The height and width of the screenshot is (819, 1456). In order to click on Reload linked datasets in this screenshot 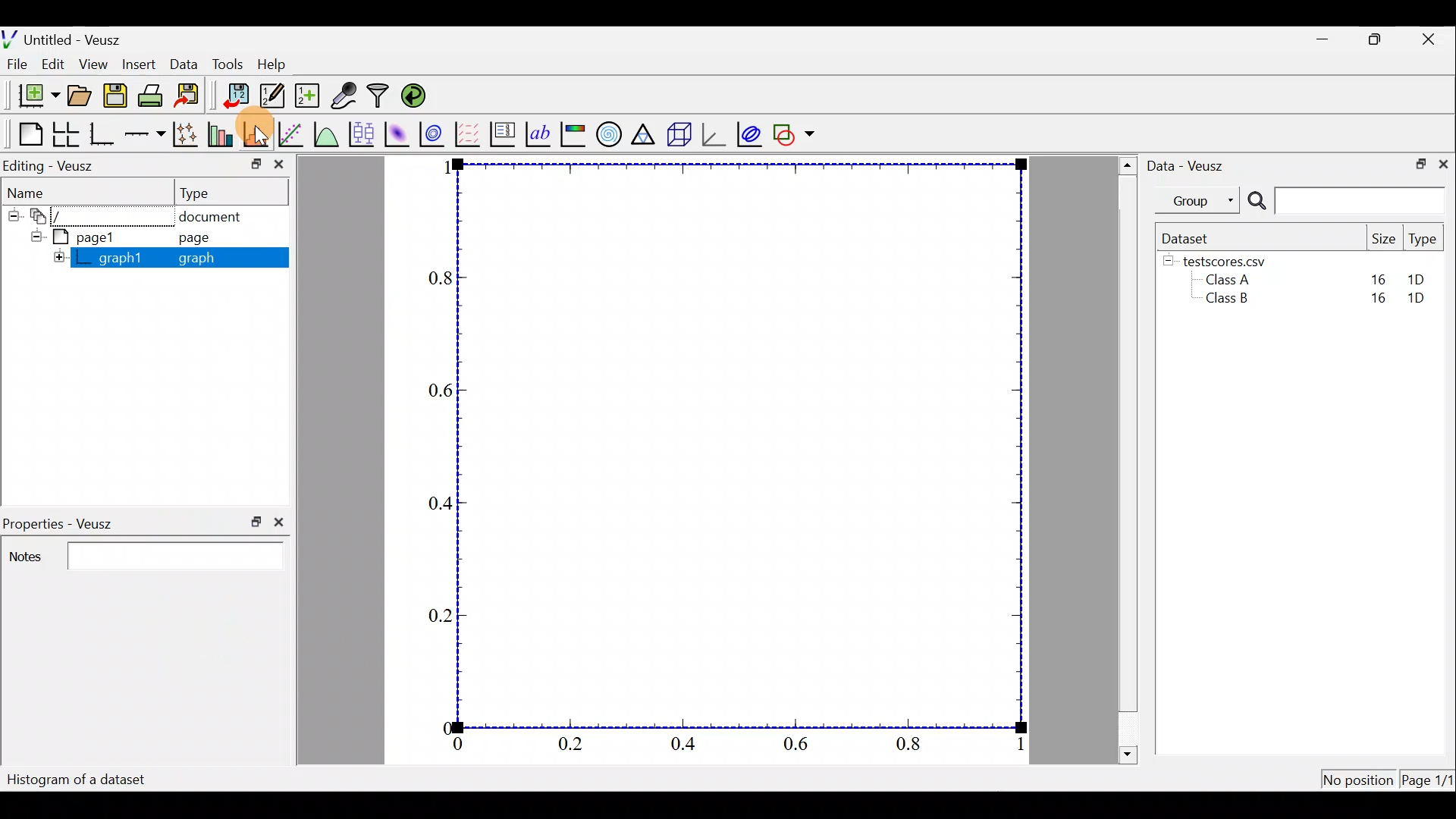, I will do `click(415, 96)`.